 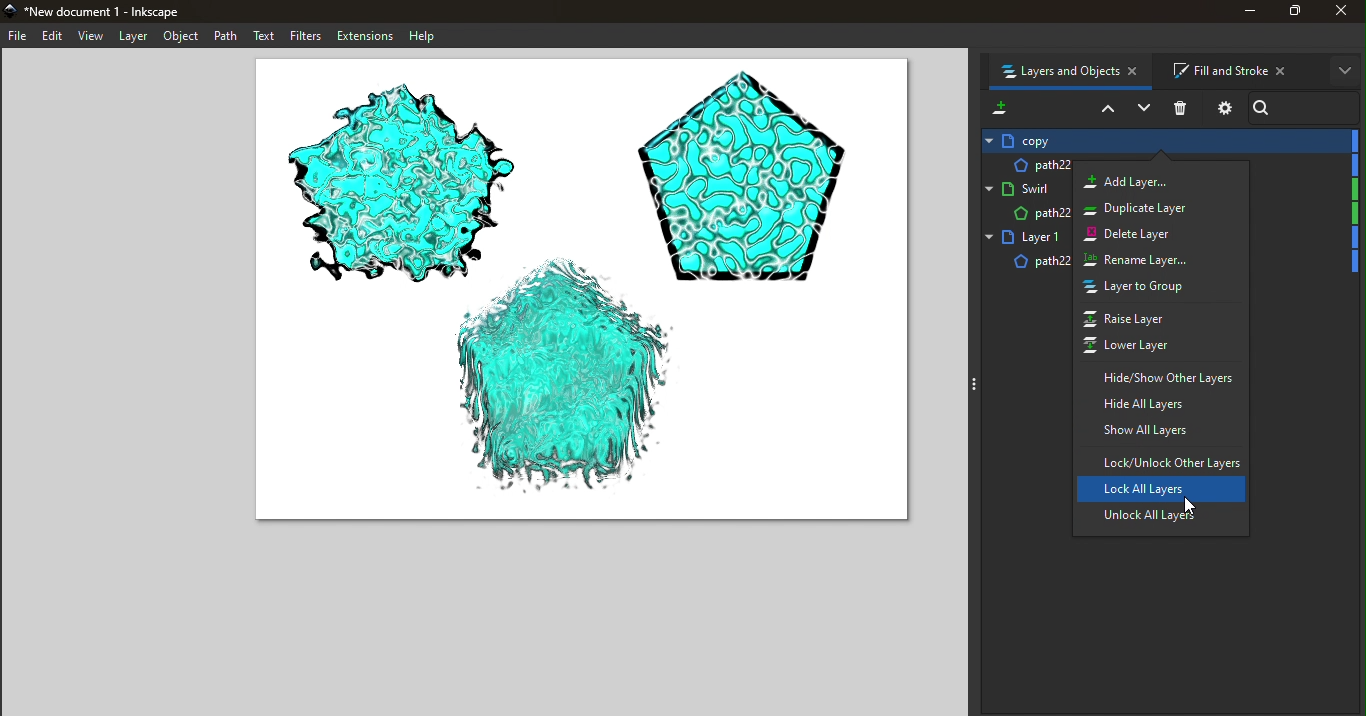 What do you see at coordinates (426, 36) in the screenshot?
I see `Help` at bounding box center [426, 36].